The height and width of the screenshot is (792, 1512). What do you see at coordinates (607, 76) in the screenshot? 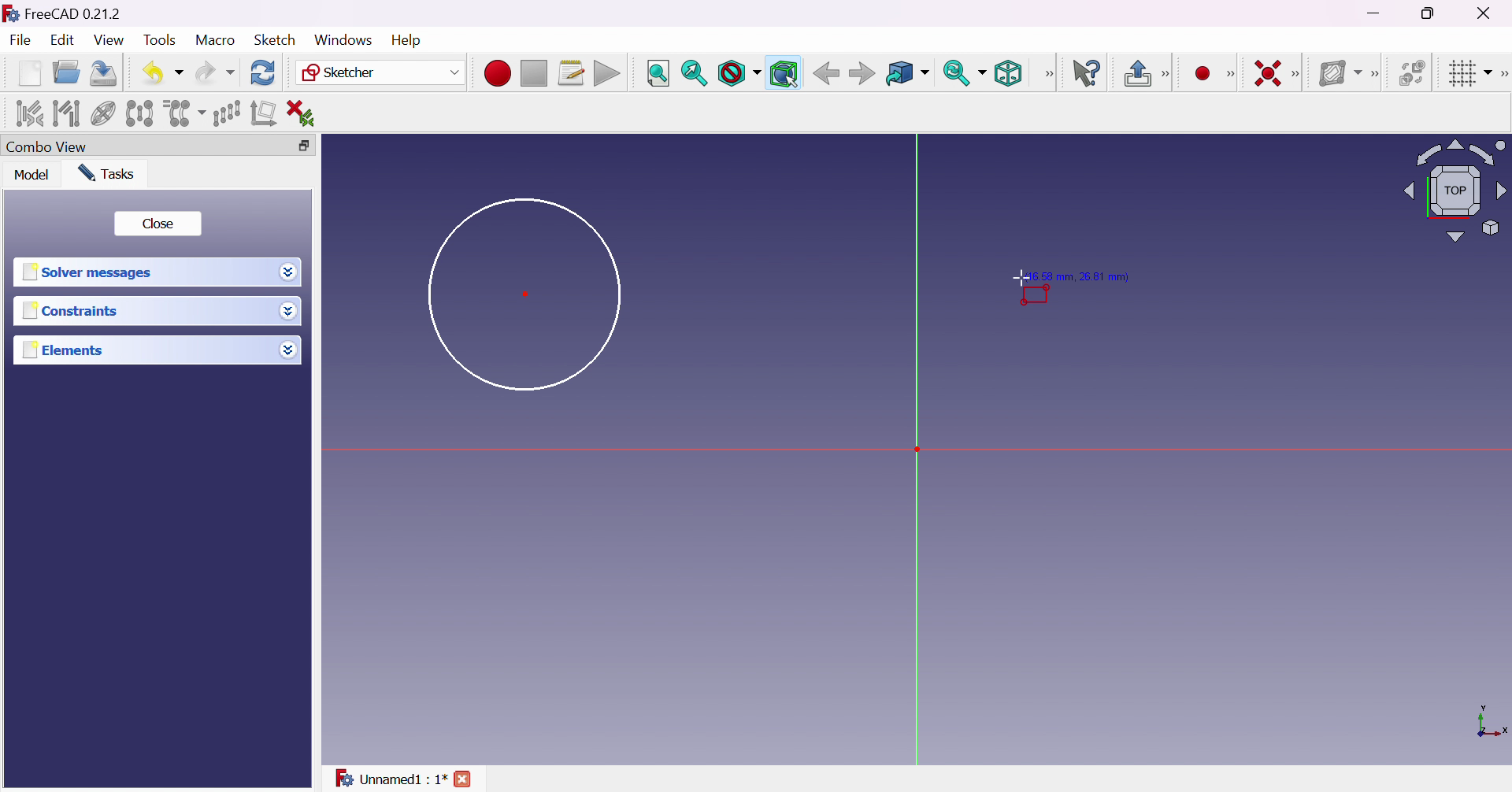
I see `Execute macro` at bounding box center [607, 76].